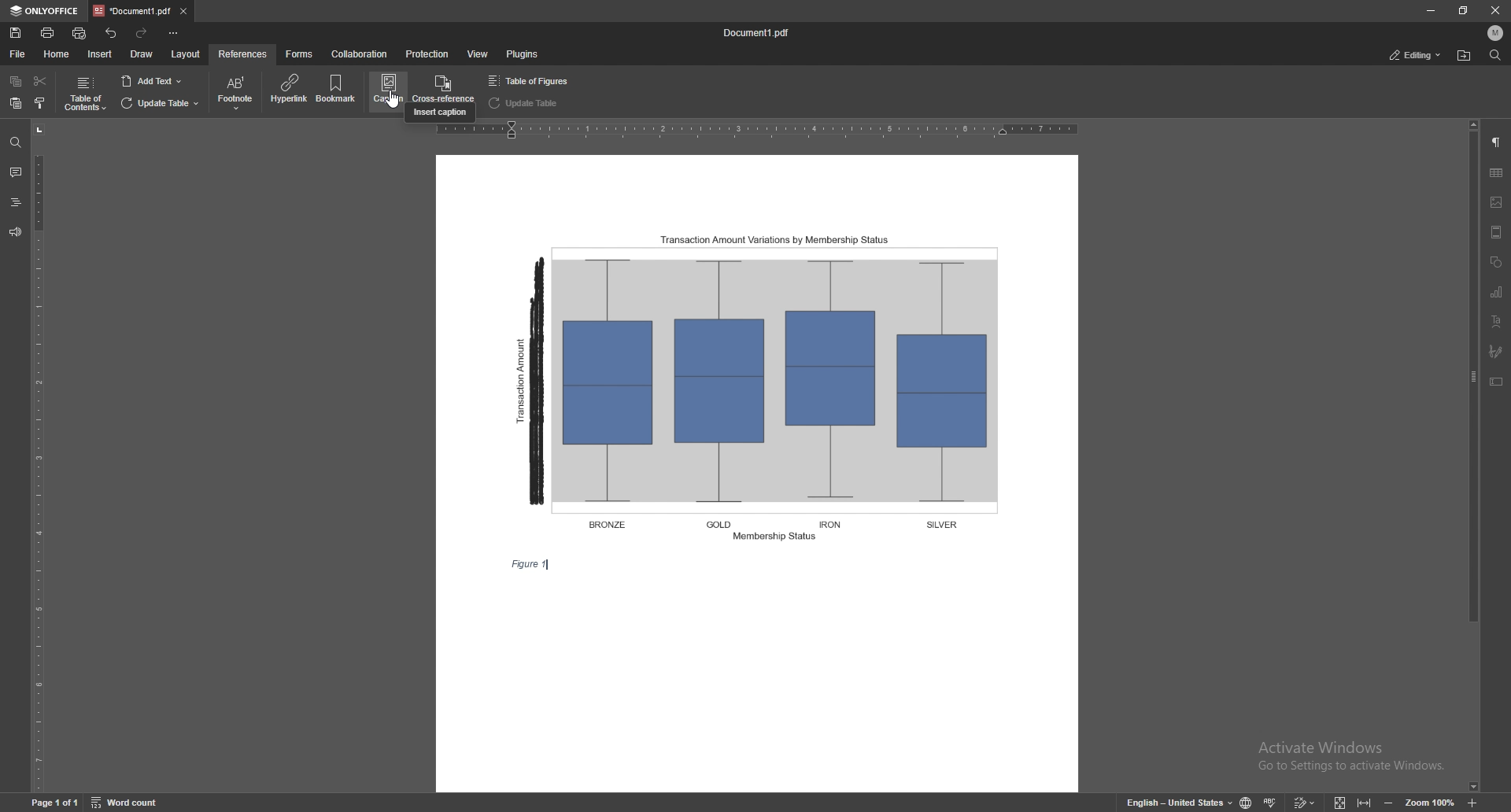  I want to click on fit to width, so click(1365, 802).